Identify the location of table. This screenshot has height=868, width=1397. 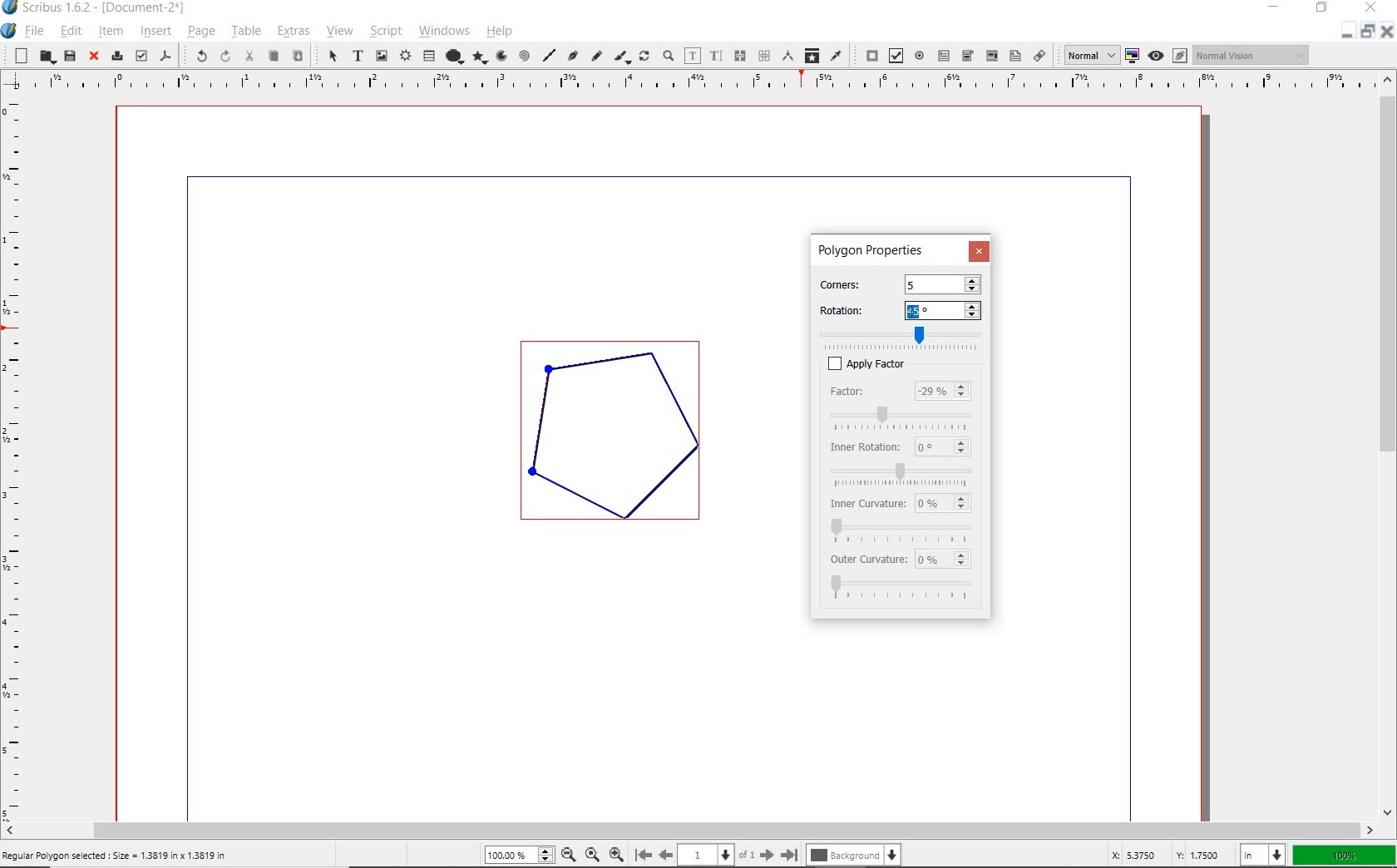
(245, 32).